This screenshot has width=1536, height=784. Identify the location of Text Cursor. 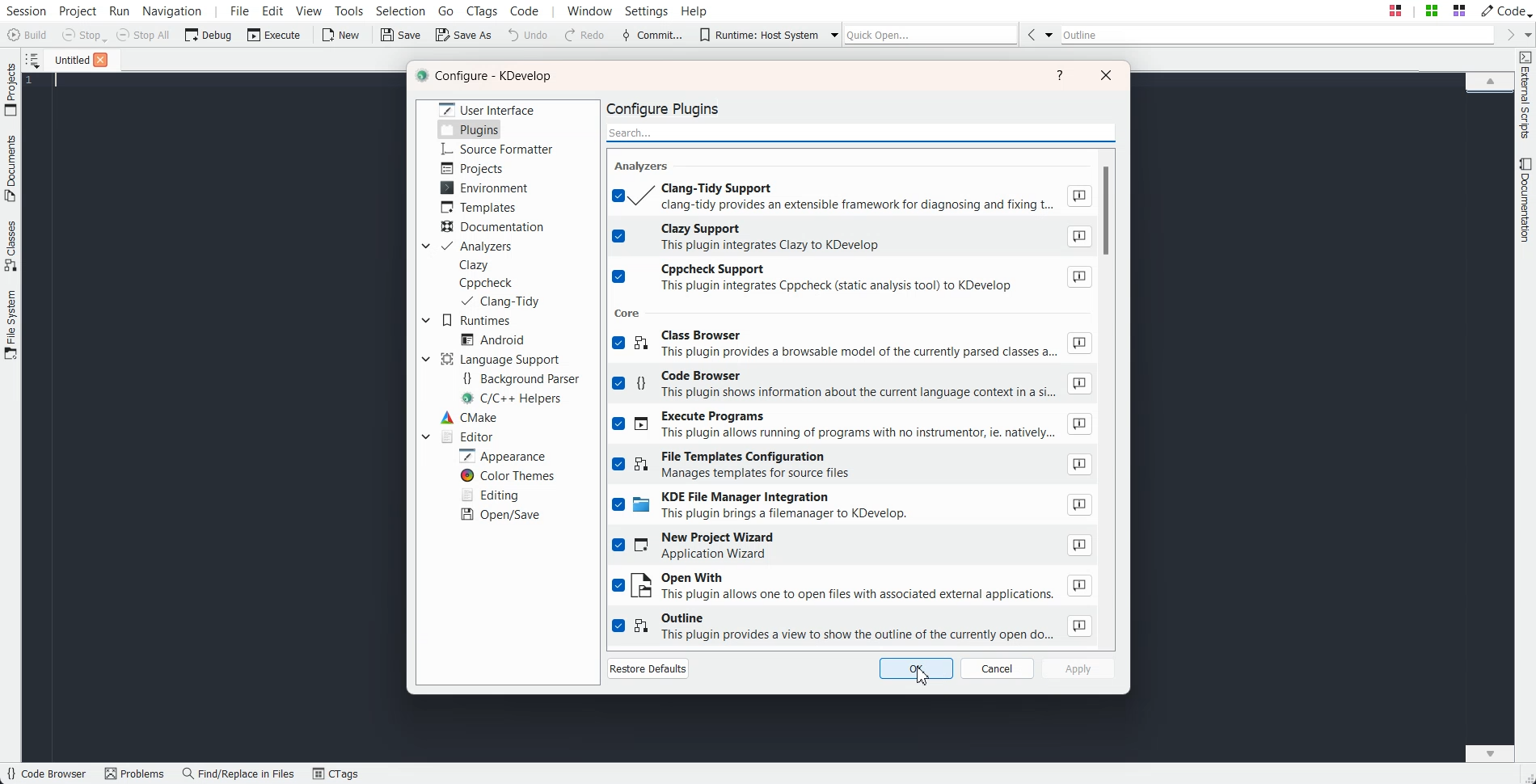
(58, 81).